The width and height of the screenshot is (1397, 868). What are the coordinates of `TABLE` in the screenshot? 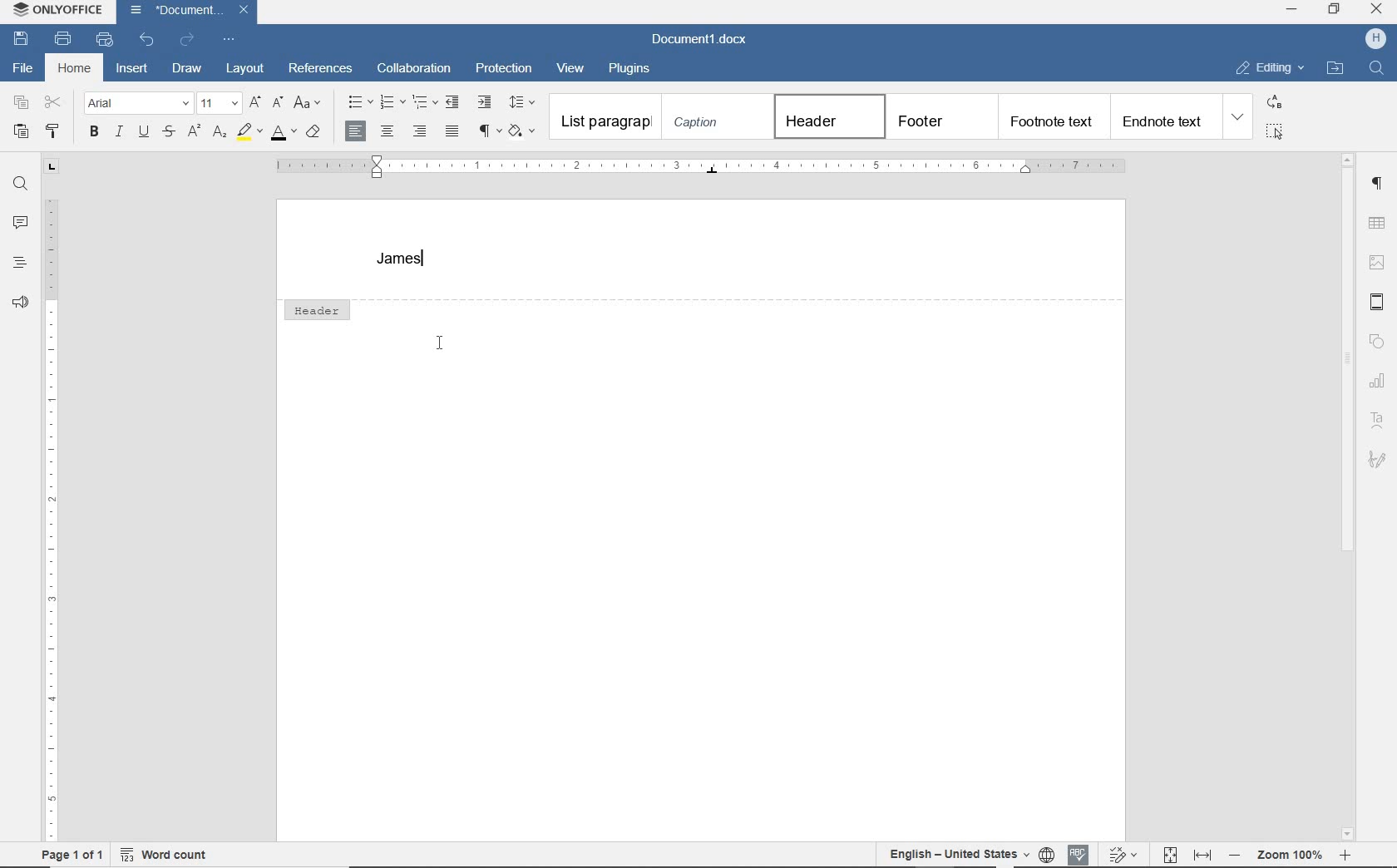 It's located at (1377, 223).